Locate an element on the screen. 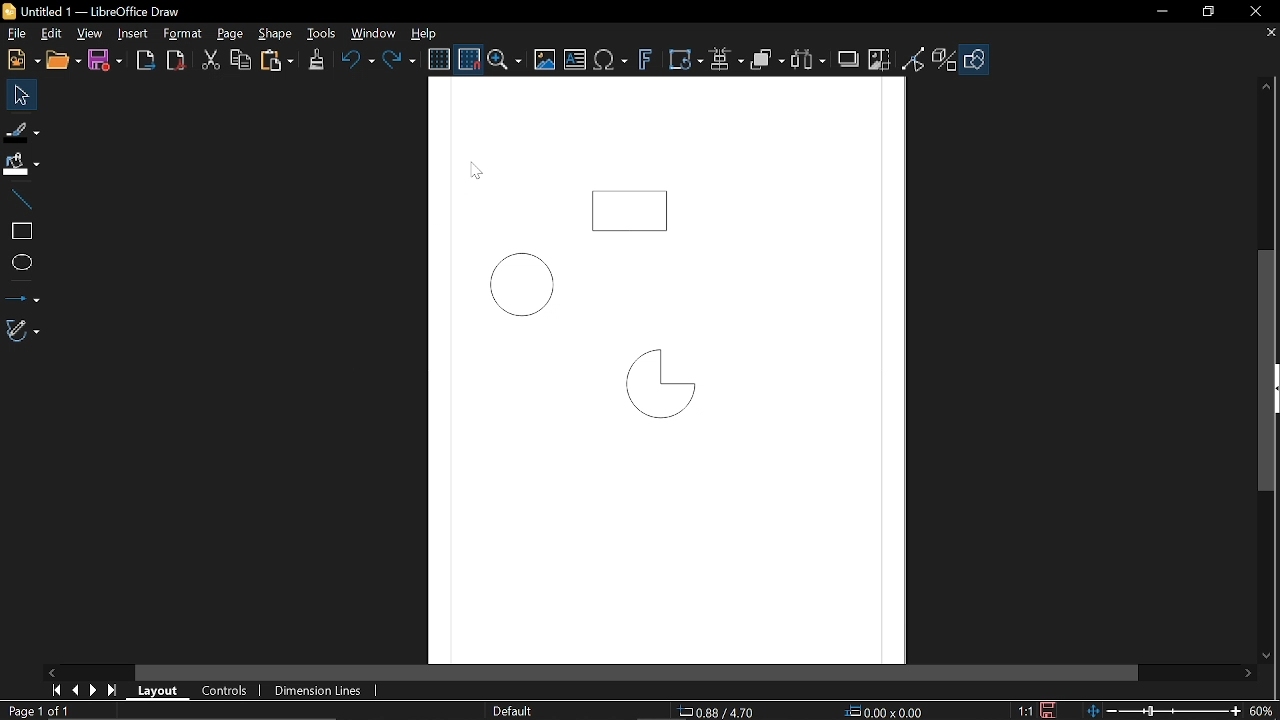 Image resolution: width=1280 pixels, height=720 pixels. Edit is located at coordinates (50, 35).